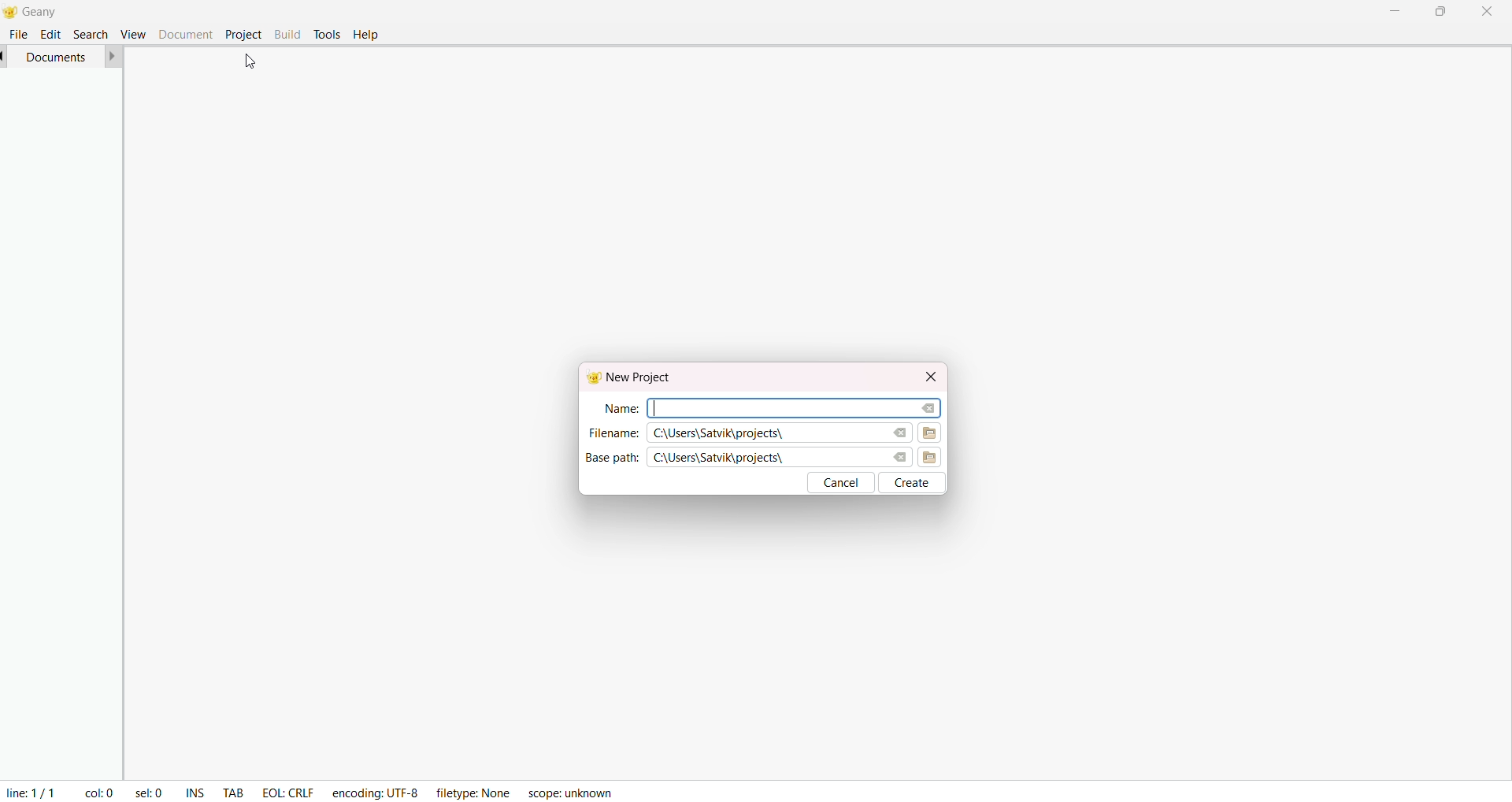 The height and width of the screenshot is (802, 1512). What do you see at coordinates (1440, 12) in the screenshot?
I see `maximize` at bounding box center [1440, 12].